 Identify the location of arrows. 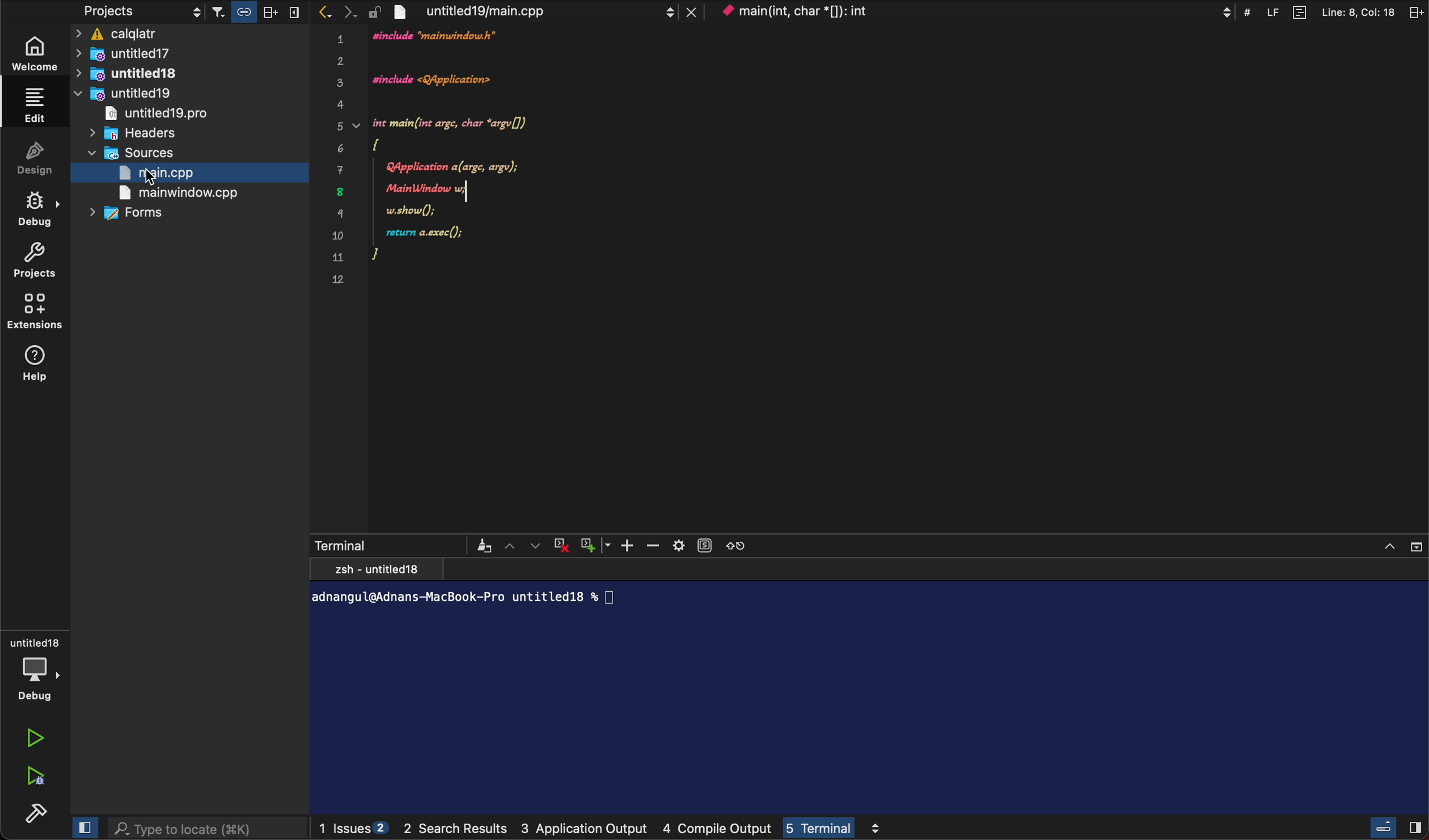
(335, 12).